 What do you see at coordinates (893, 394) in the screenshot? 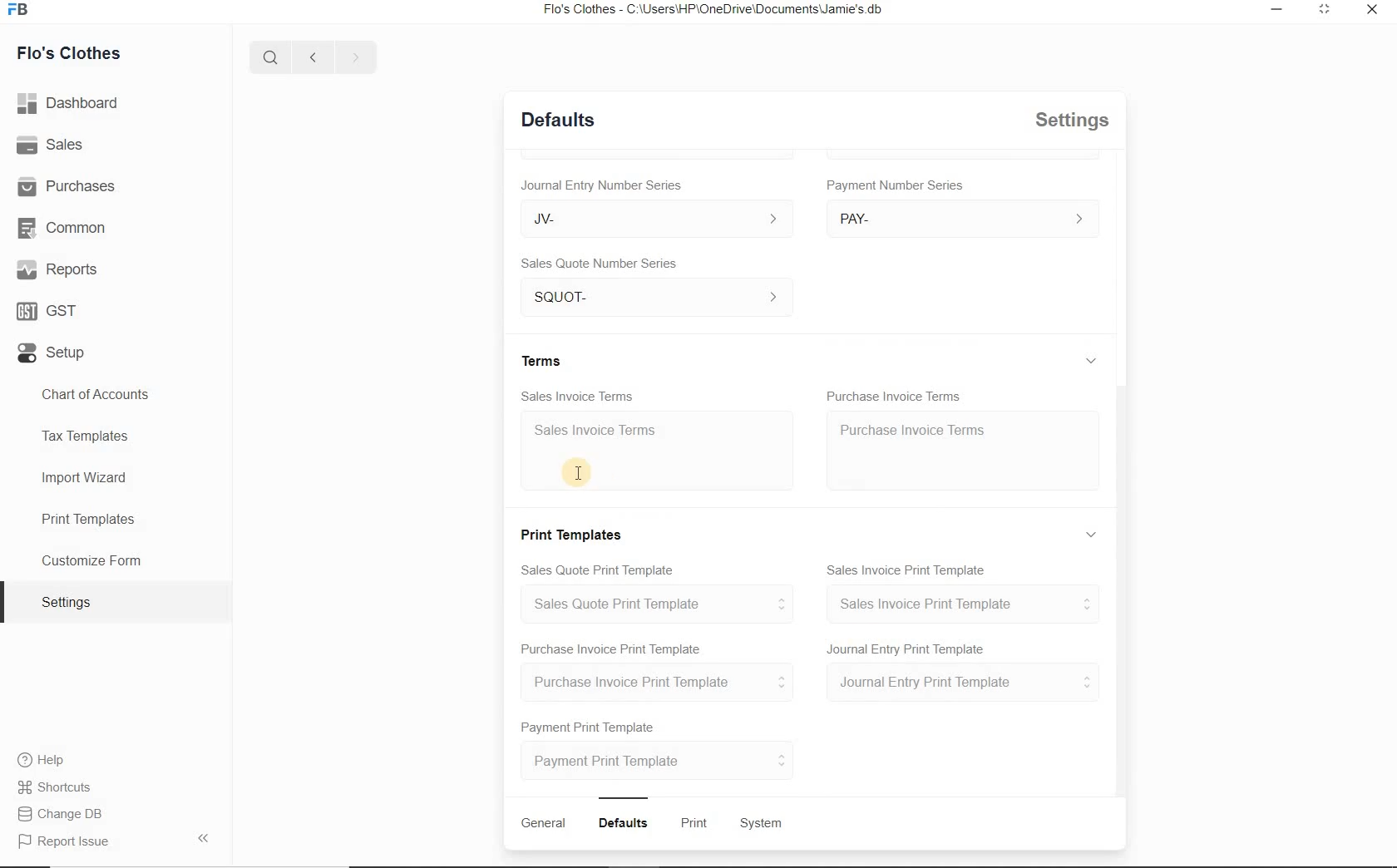
I see `Purchase Invoice Terms` at bounding box center [893, 394].